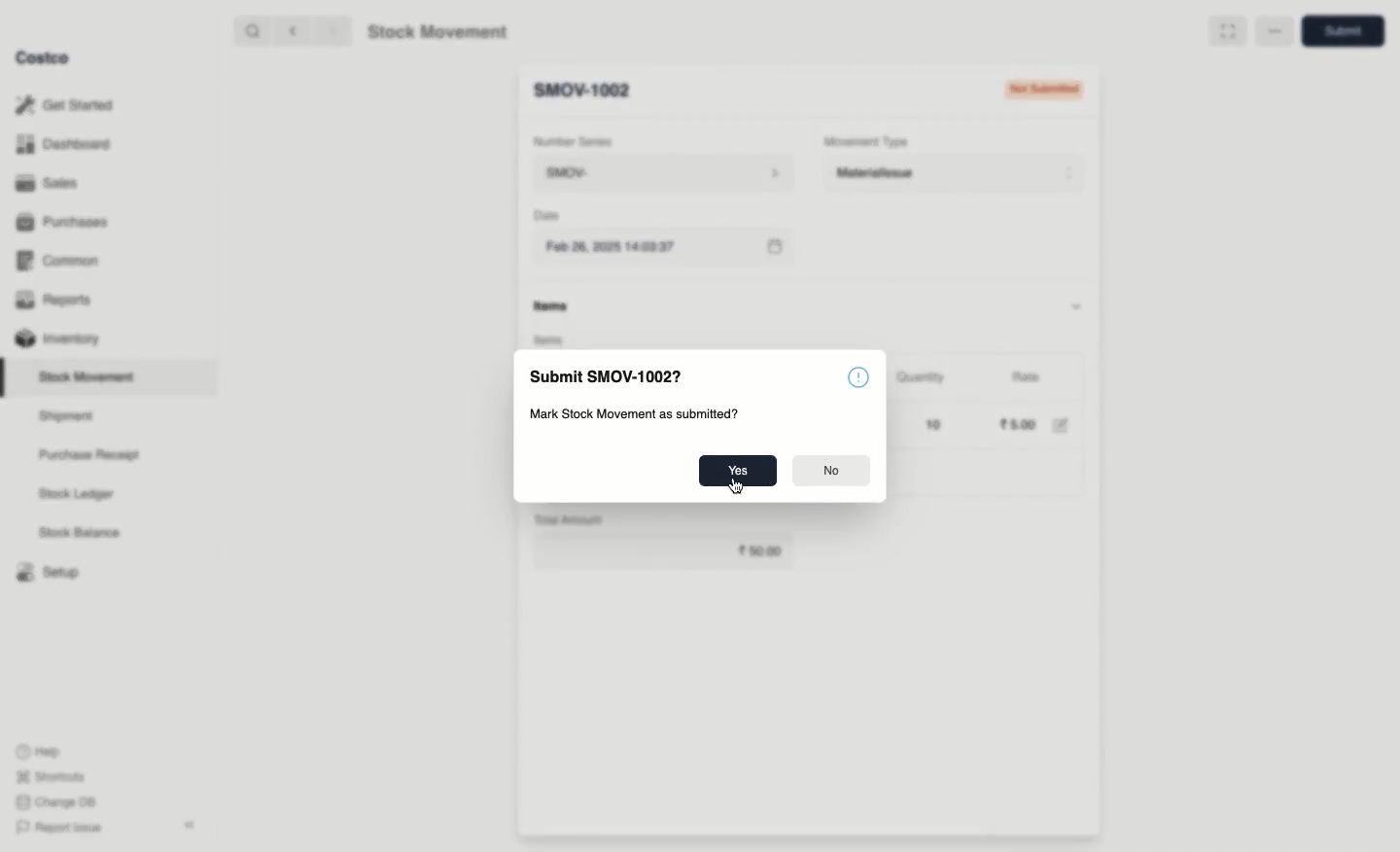 The image size is (1400, 852). Describe the element at coordinates (1344, 31) in the screenshot. I see `Save` at that location.